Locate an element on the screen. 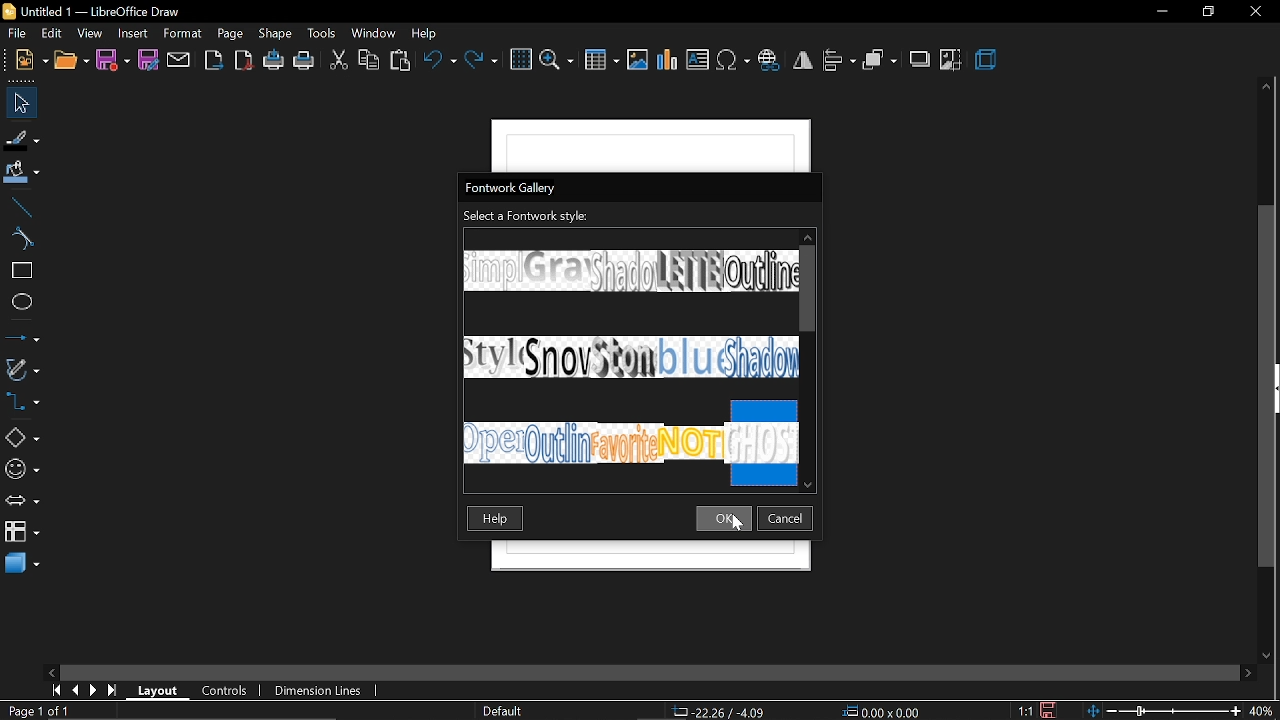 The height and width of the screenshot is (720, 1280). previous page is located at coordinates (71, 691).